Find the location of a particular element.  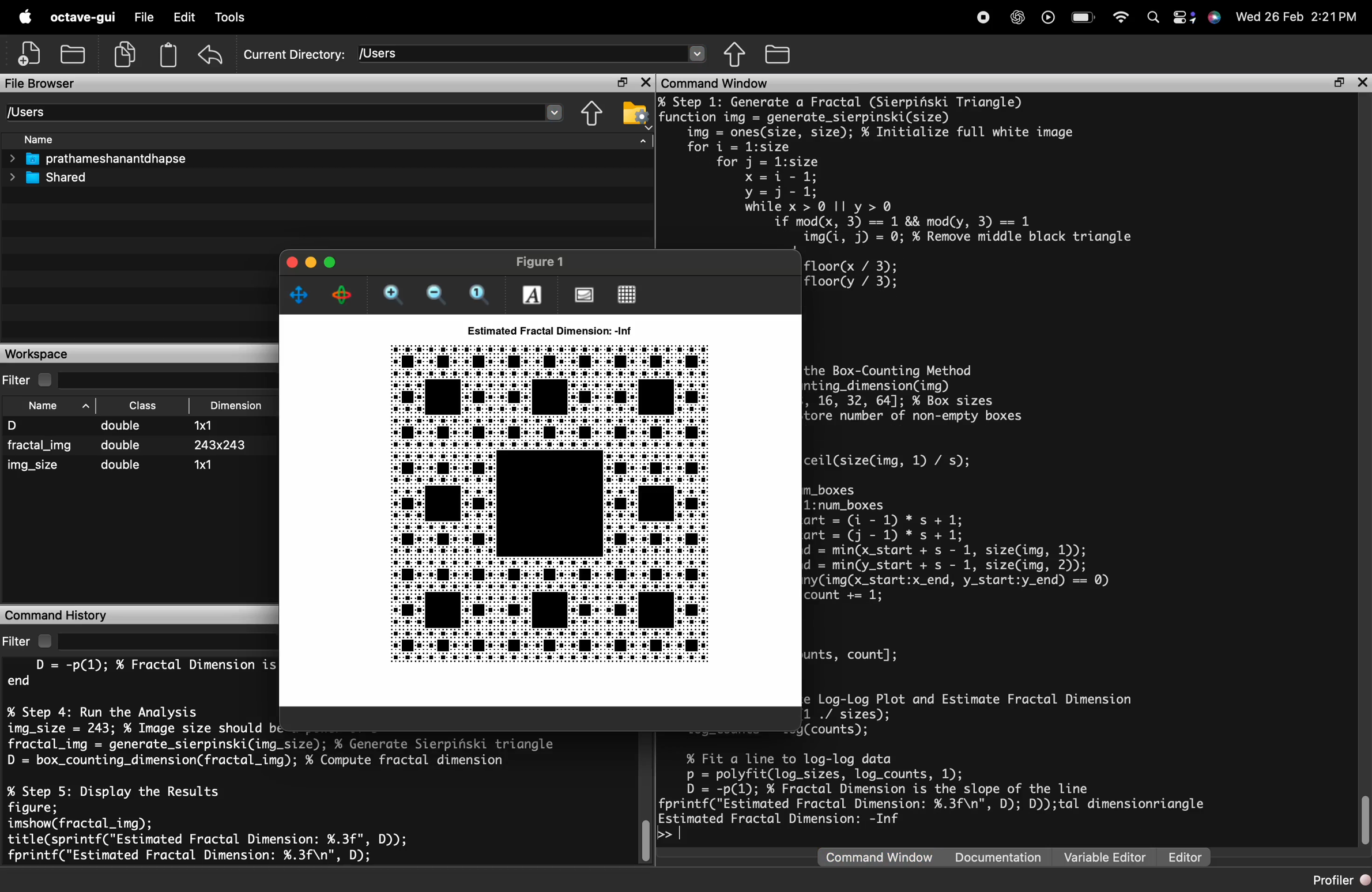

scroll bar is located at coordinates (648, 797).